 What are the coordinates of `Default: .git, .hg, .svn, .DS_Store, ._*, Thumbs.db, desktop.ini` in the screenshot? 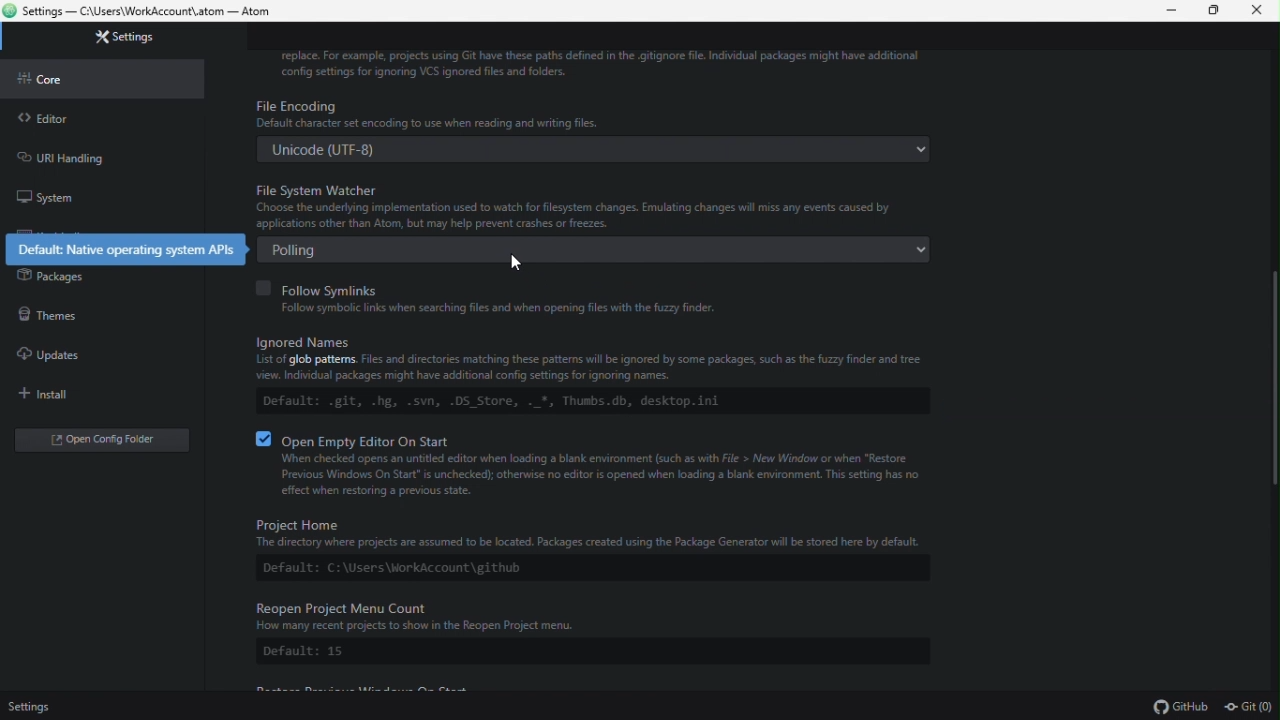 It's located at (494, 403).